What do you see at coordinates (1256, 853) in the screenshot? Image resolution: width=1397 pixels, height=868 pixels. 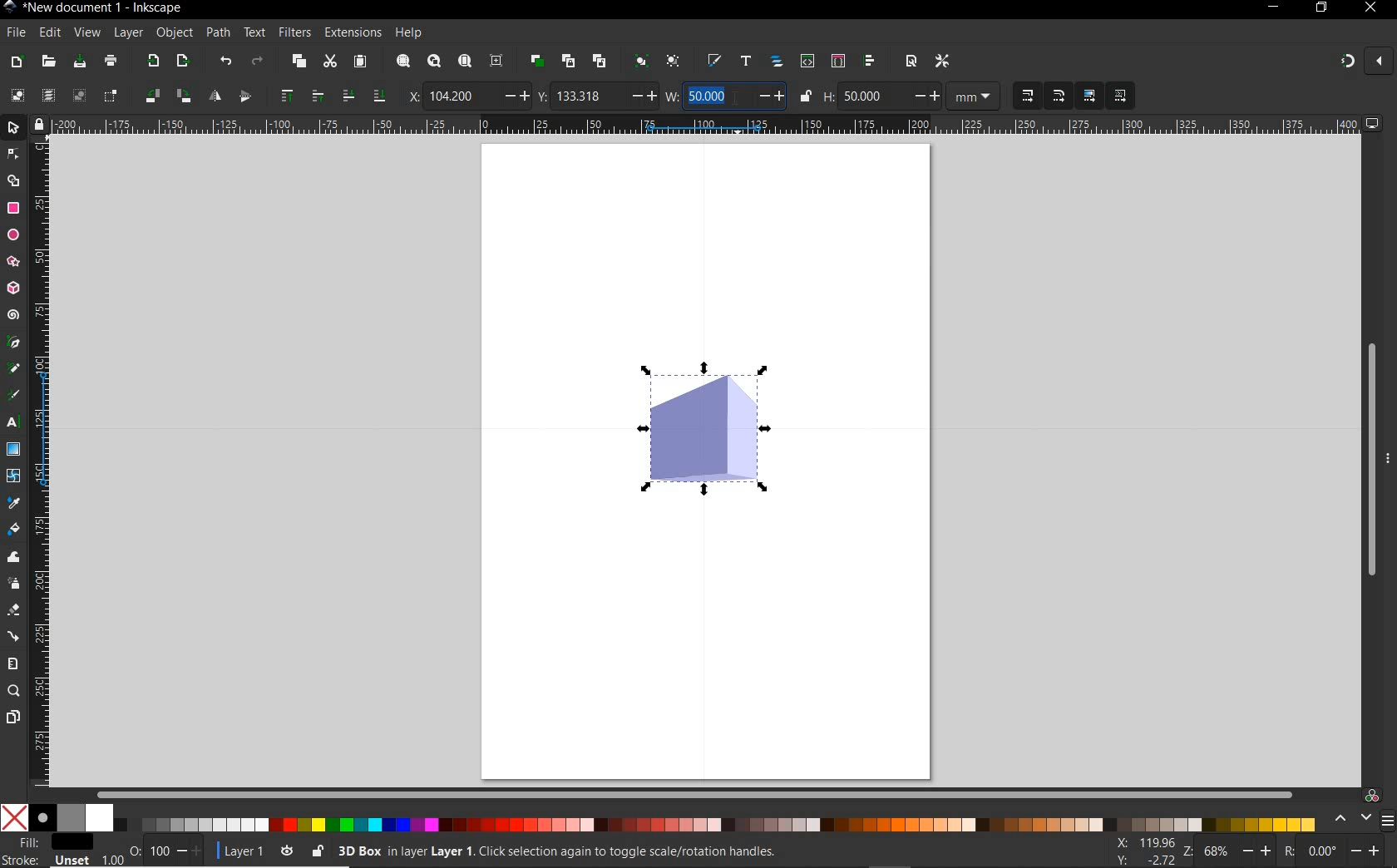 I see `increase/decrease` at bounding box center [1256, 853].